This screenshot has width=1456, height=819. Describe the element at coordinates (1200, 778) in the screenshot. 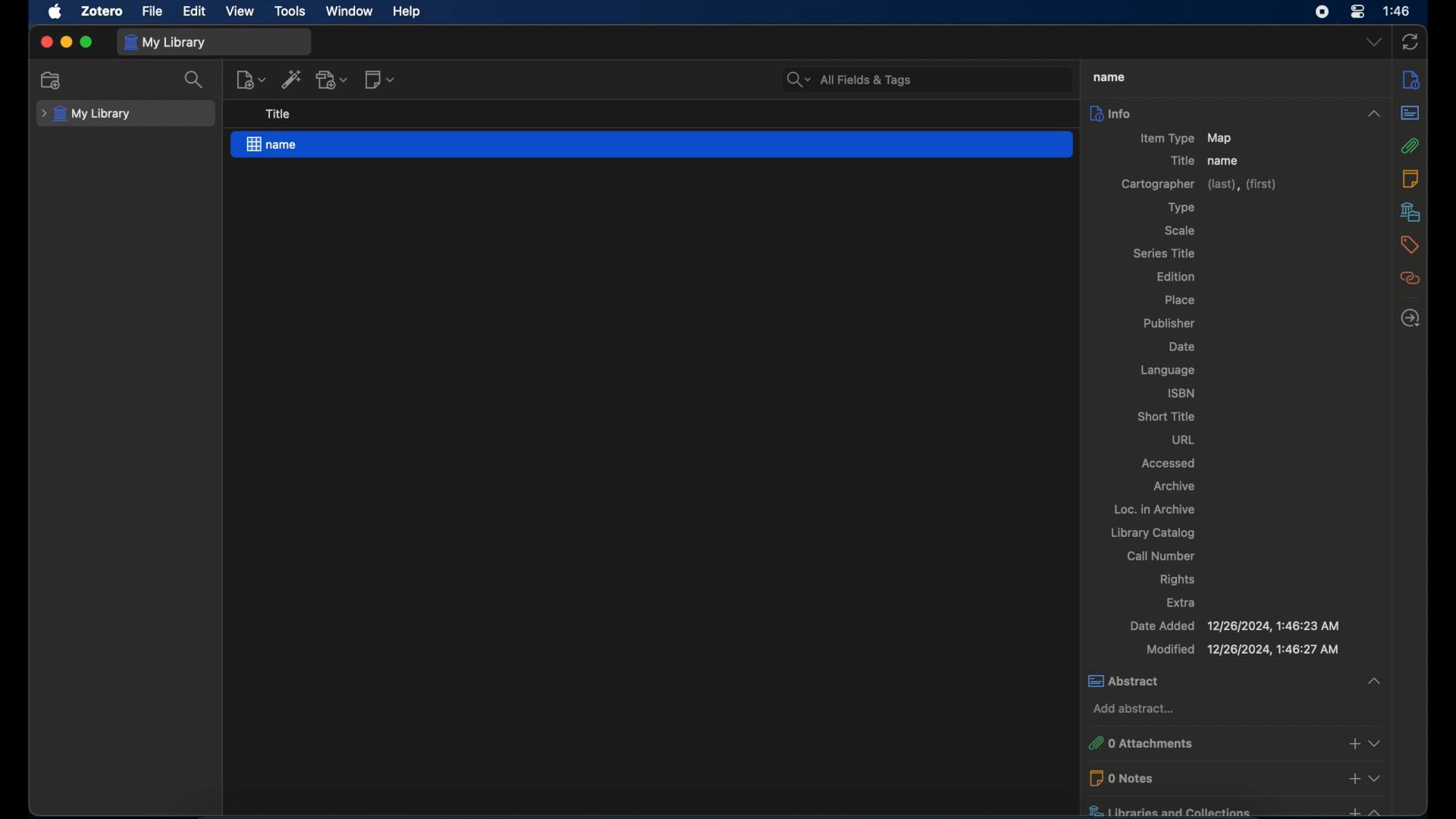

I see `0 notes` at that location.